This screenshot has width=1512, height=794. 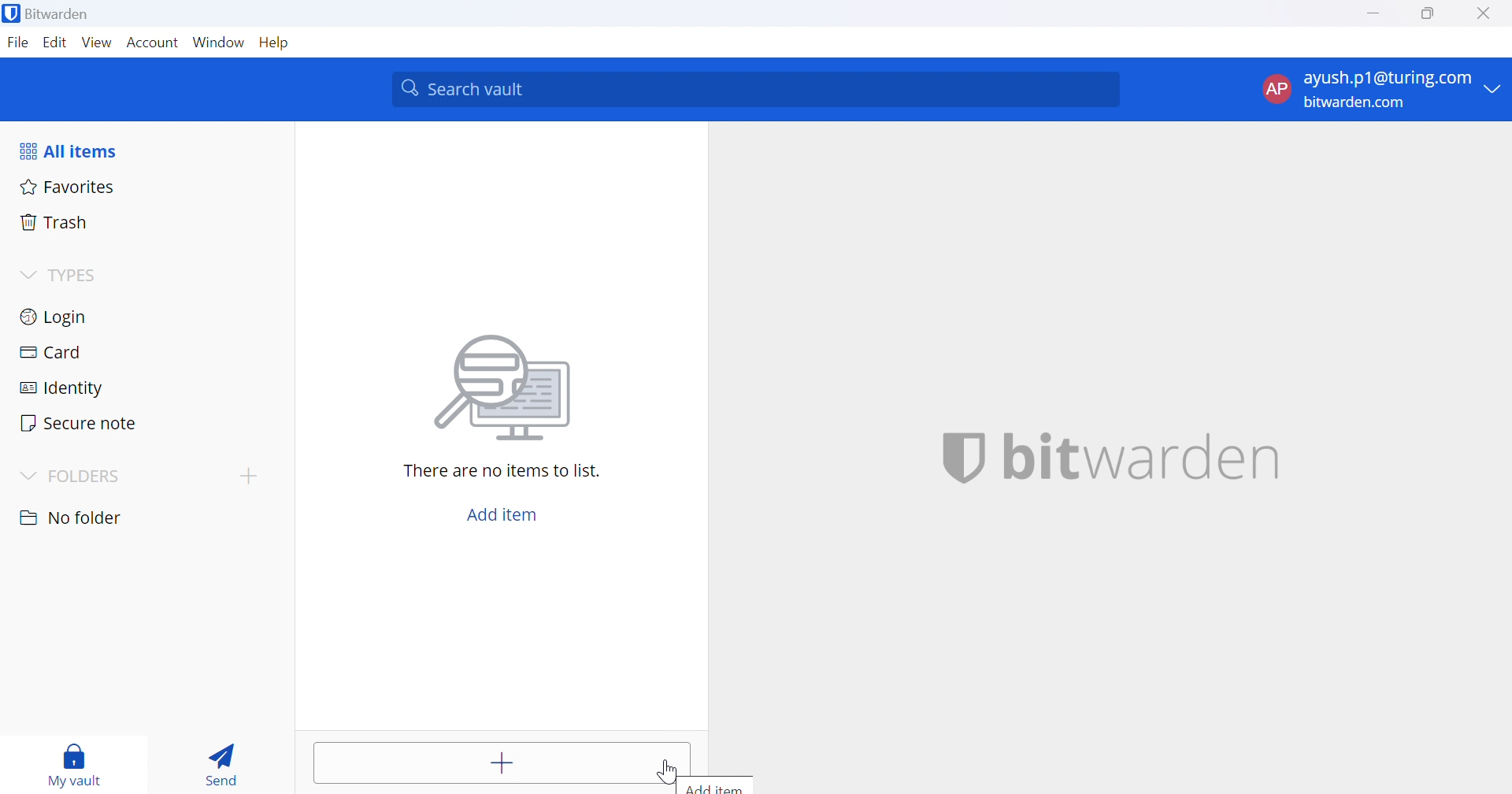 I want to click on No folder, so click(x=72, y=518).